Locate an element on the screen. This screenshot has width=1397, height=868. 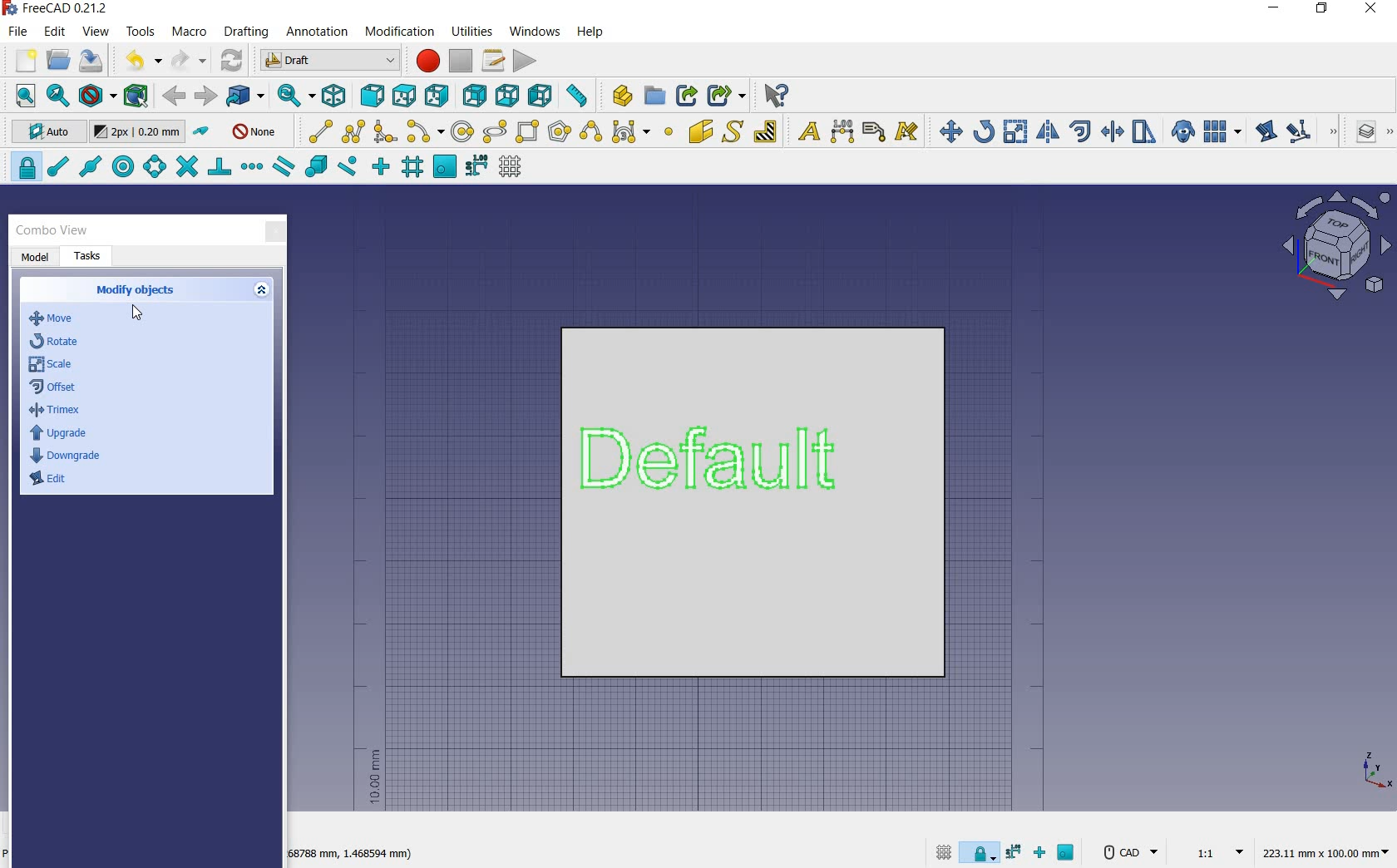
trimex is located at coordinates (54, 412).